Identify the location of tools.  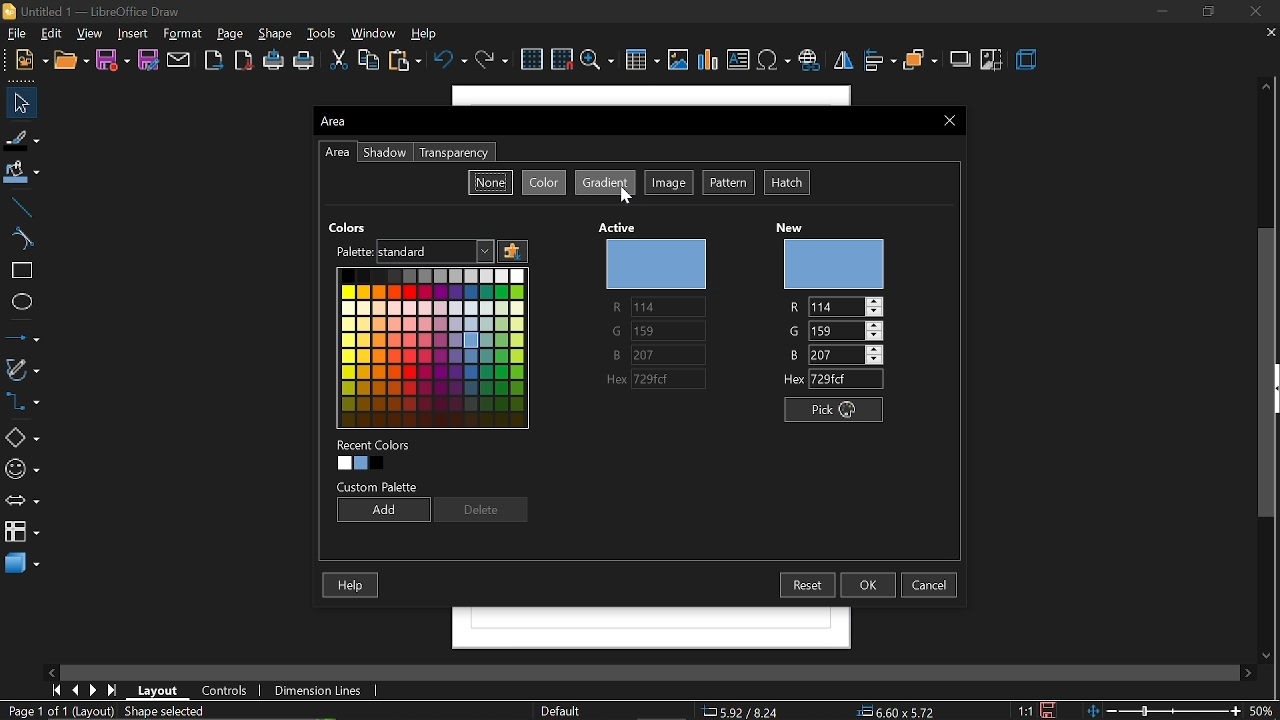
(323, 35).